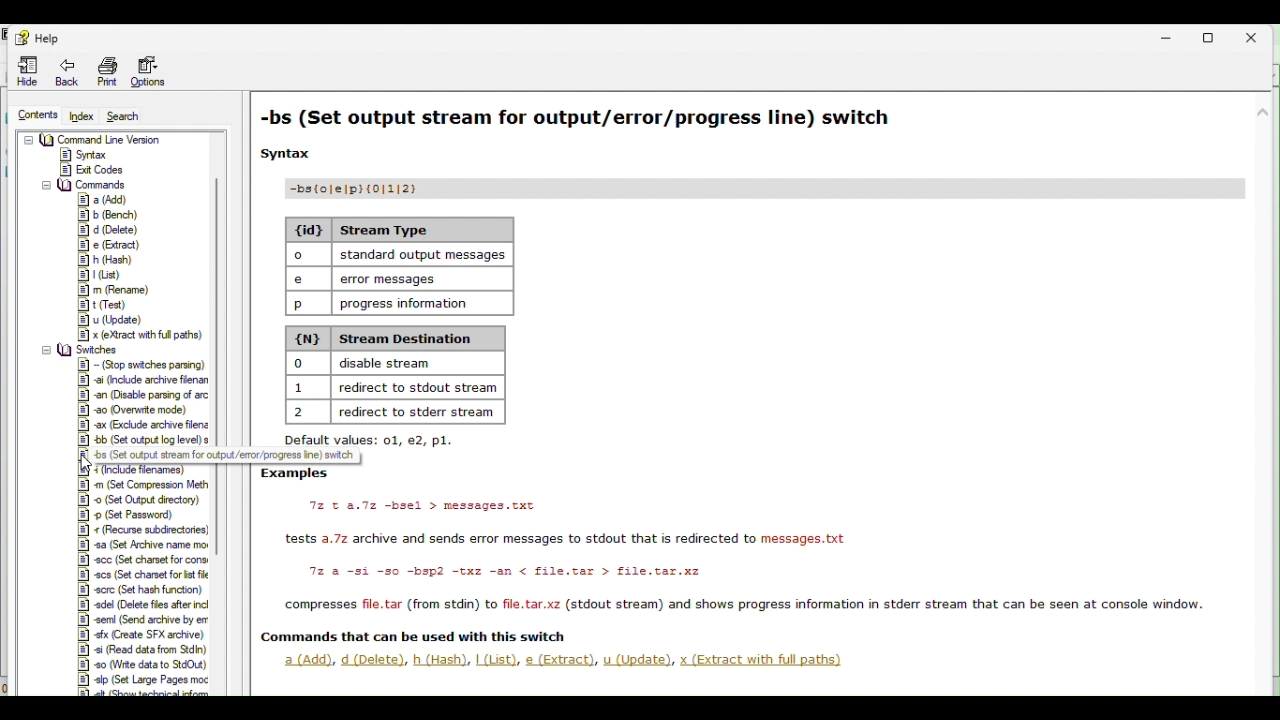  Describe the element at coordinates (1167, 37) in the screenshot. I see `Minimise` at that location.